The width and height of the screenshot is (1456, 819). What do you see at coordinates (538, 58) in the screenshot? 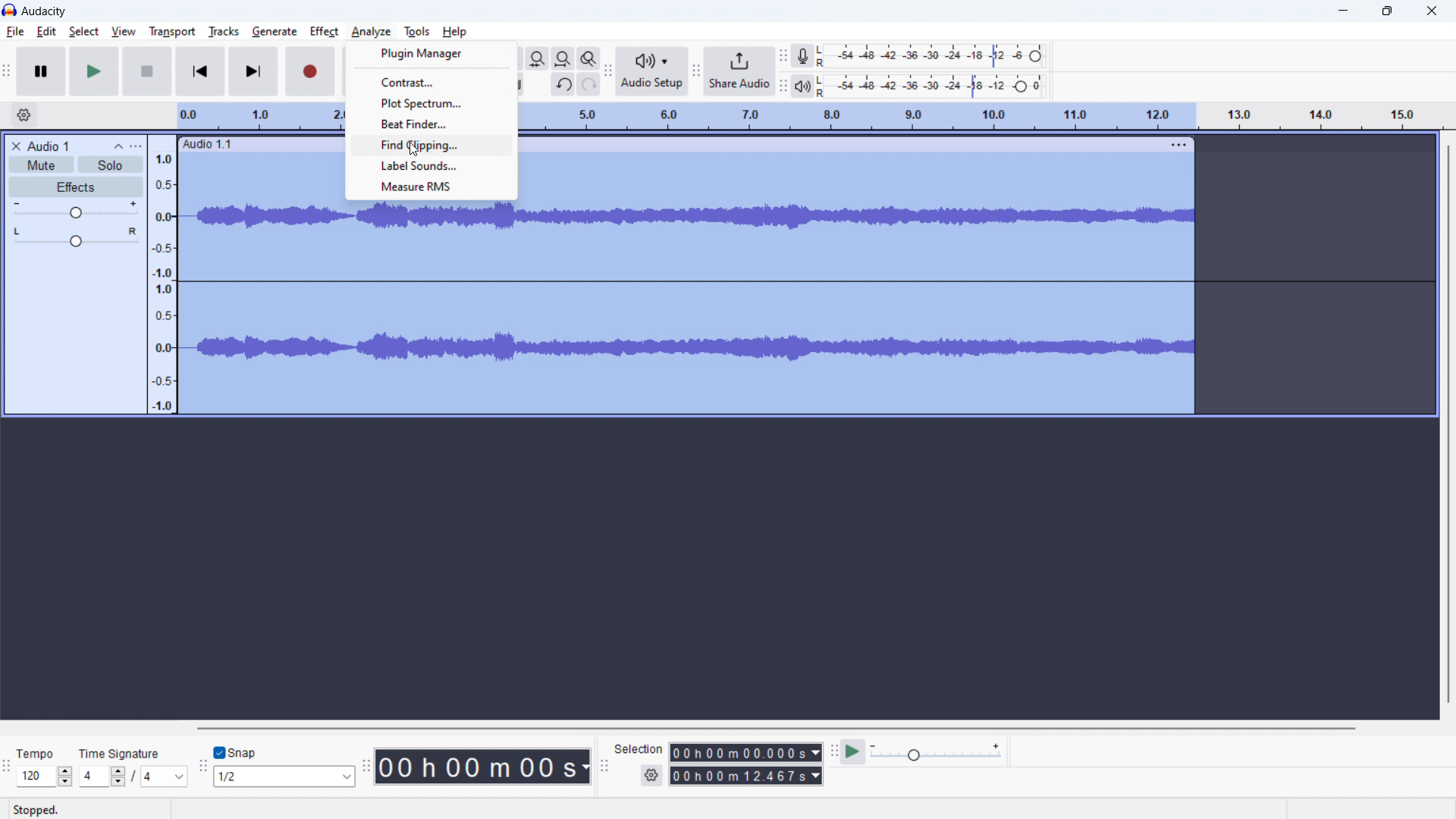
I see `fit selection to width` at bounding box center [538, 58].